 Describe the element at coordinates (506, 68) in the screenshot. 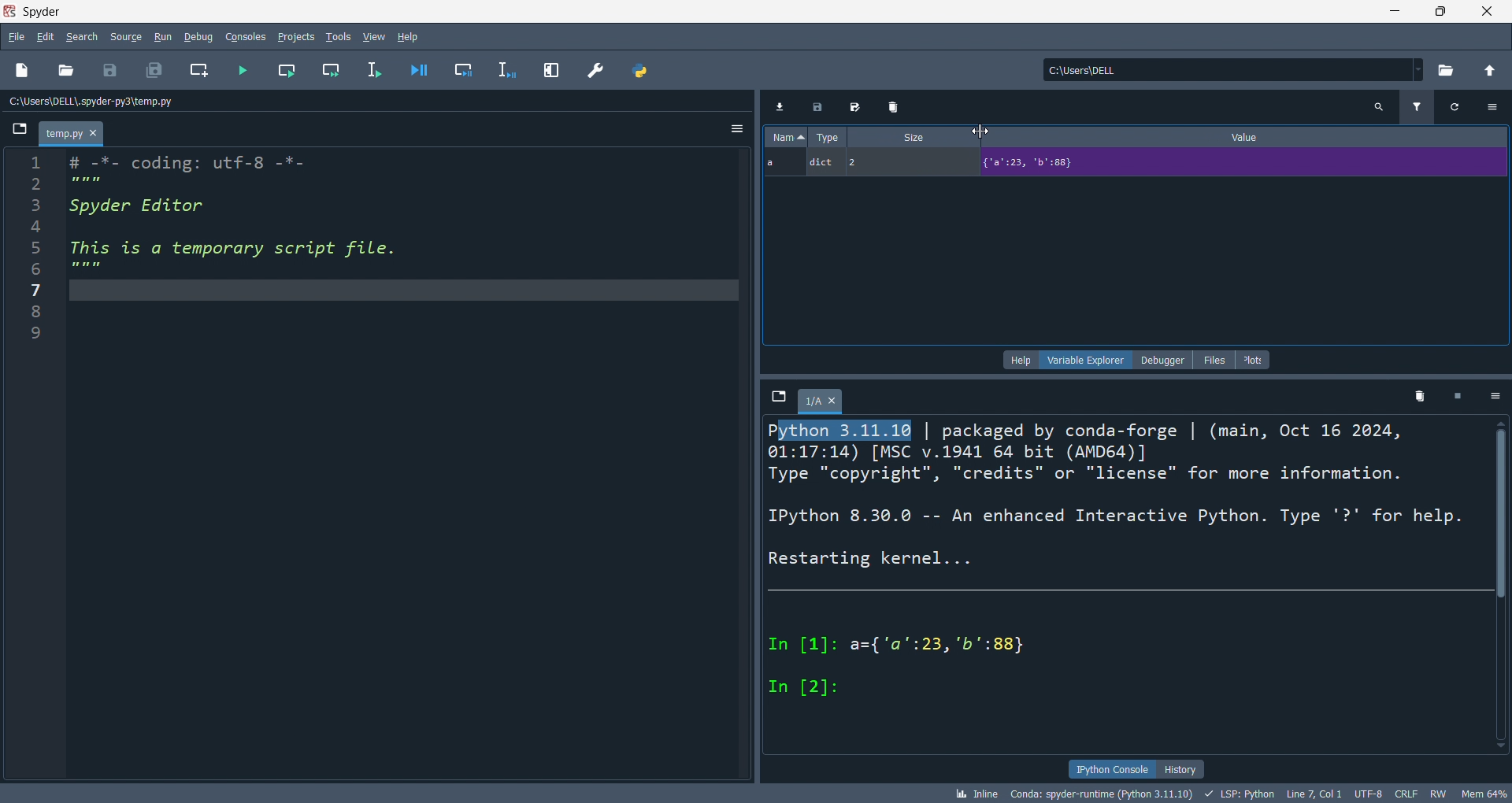

I see `debug line` at that location.